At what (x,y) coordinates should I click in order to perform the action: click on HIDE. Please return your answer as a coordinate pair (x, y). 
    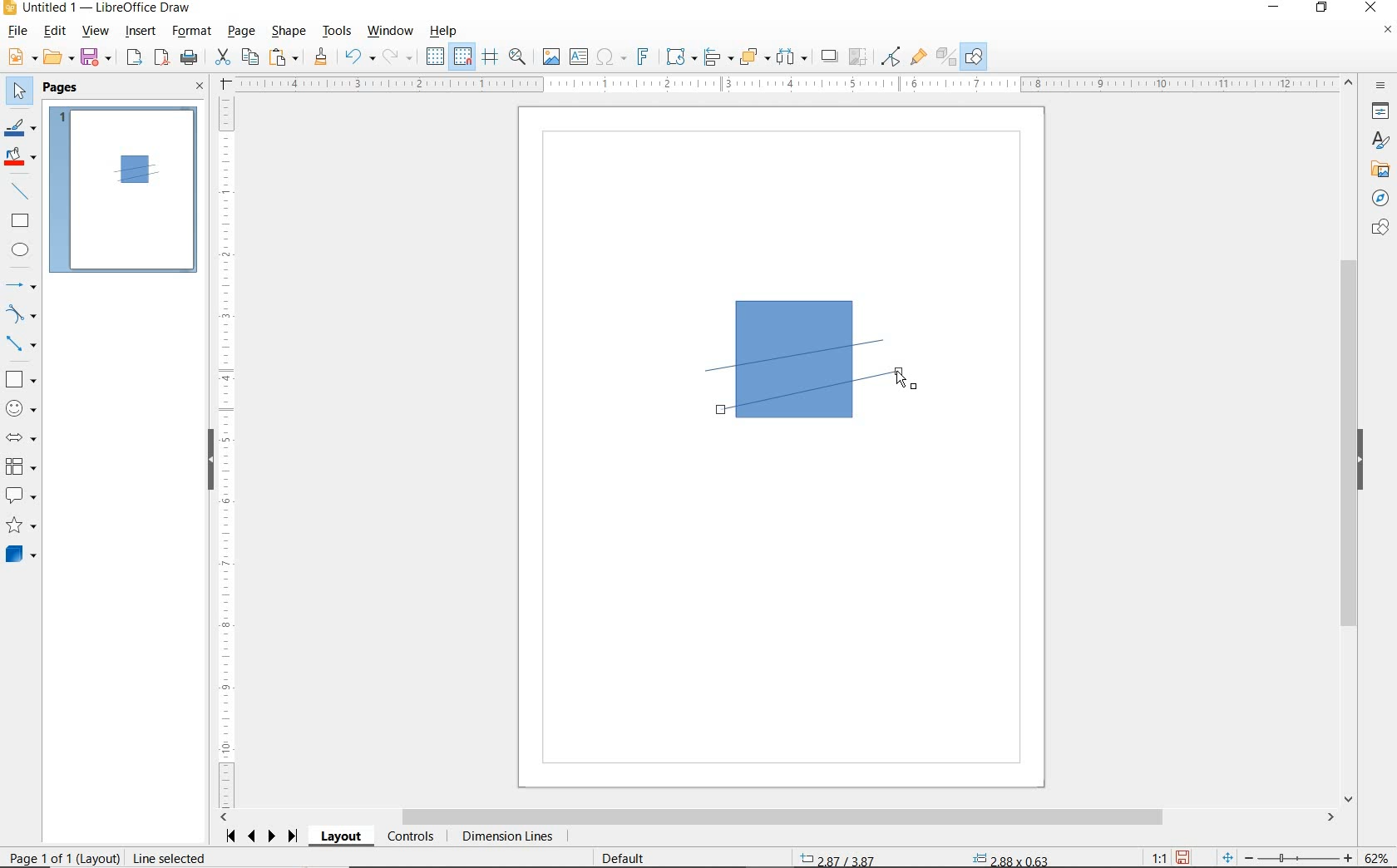
    Looking at the image, I should click on (1360, 461).